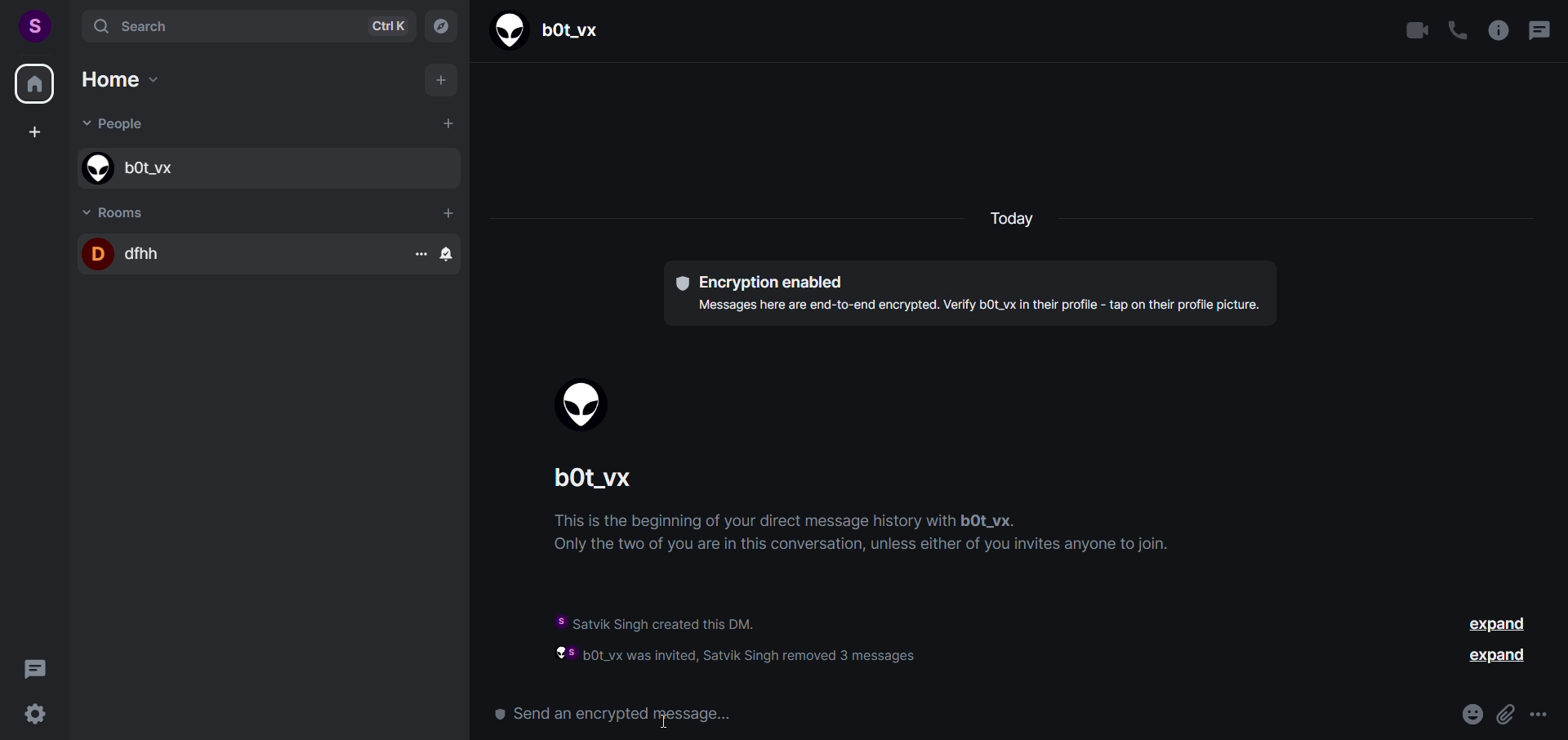 The height and width of the screenshot is (740, 1568). I want to click on explore, so click(440, 25).